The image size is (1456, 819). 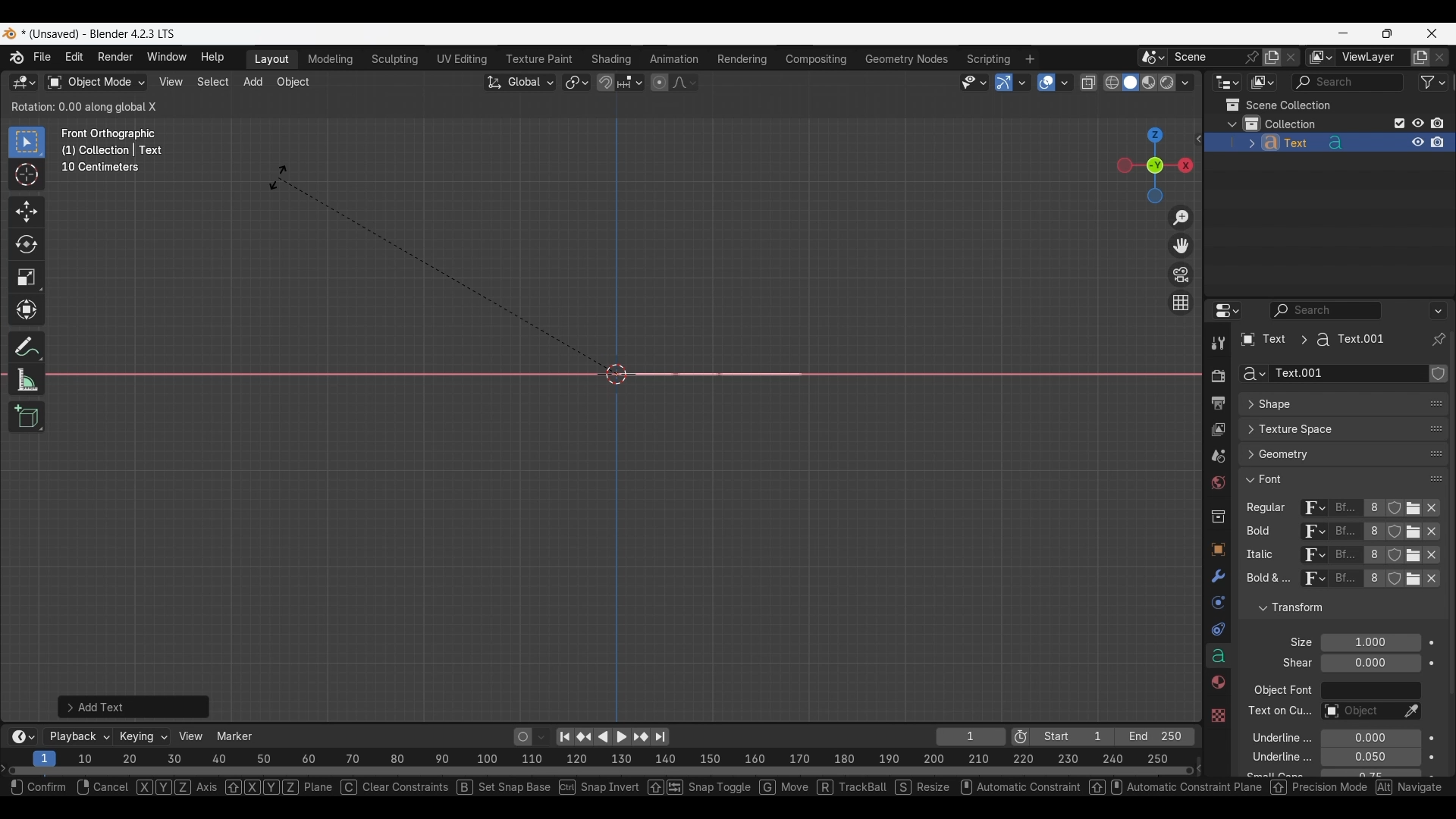 What do you see at coordinates (96, 83) in the screenshot?
I see `Sets the object interaction mode` at bounding box center [96, 83].